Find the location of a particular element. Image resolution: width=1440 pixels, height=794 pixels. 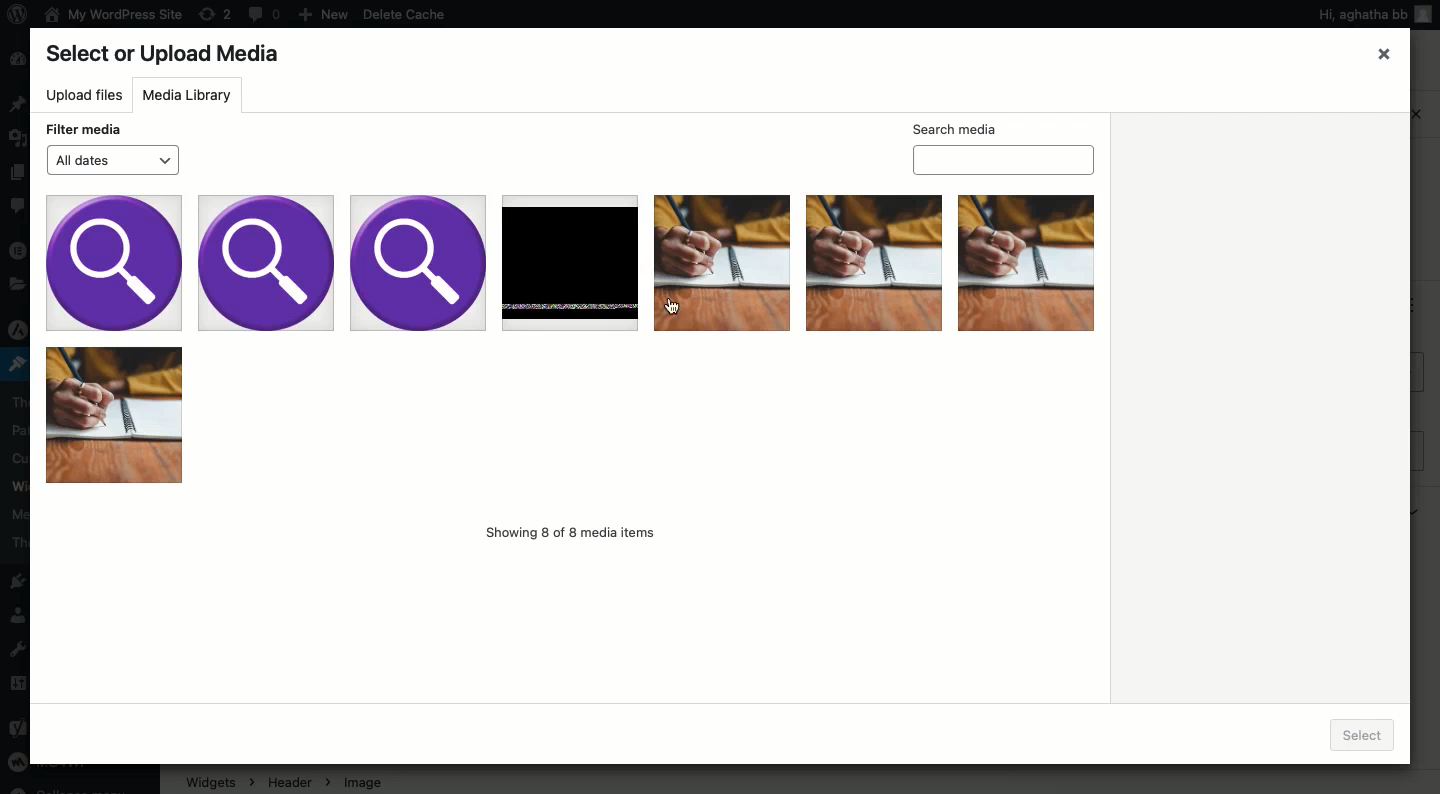

Showing 8 of 8 media items is located at coordinates (571, 532).